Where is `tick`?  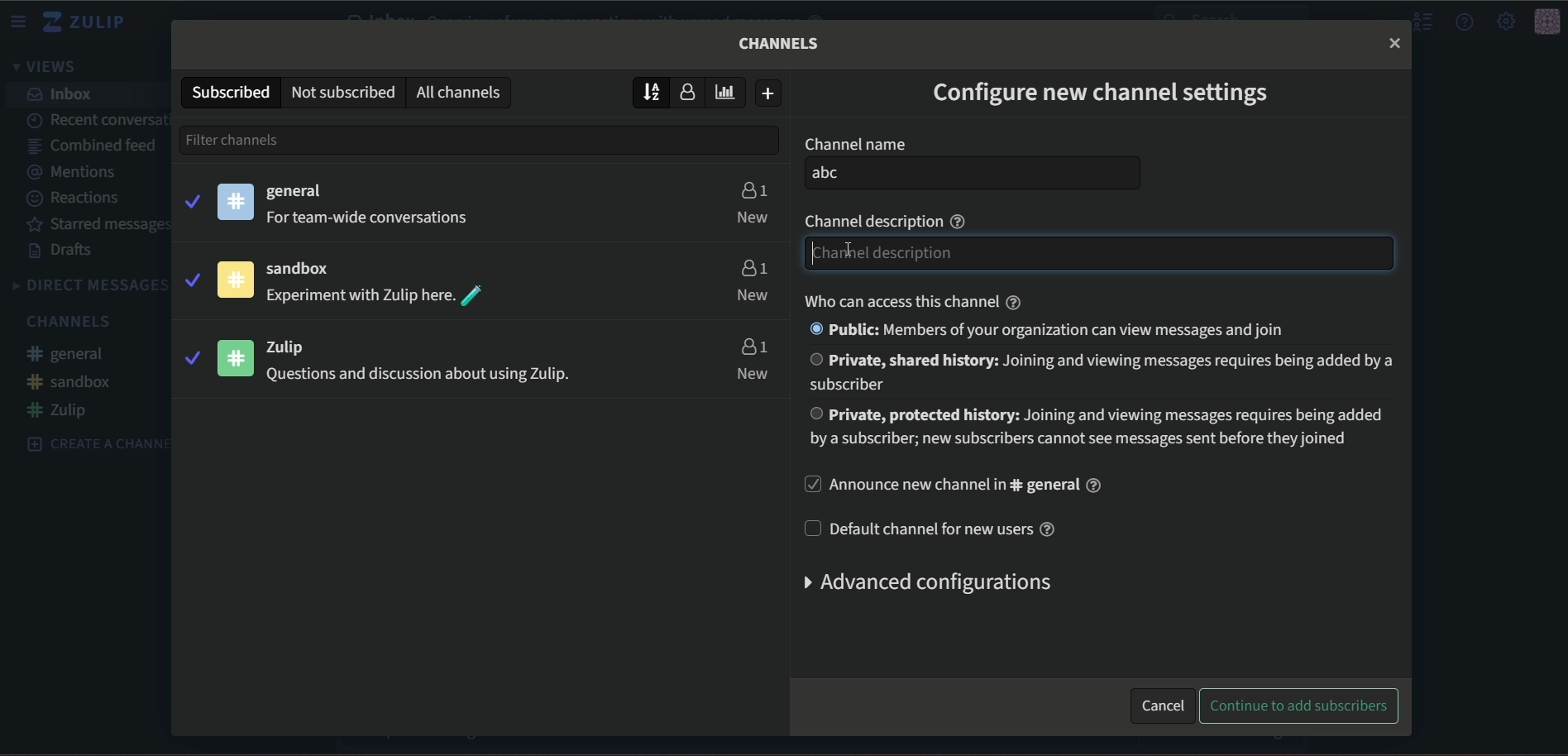
tick is located at coordinates (190, 278).